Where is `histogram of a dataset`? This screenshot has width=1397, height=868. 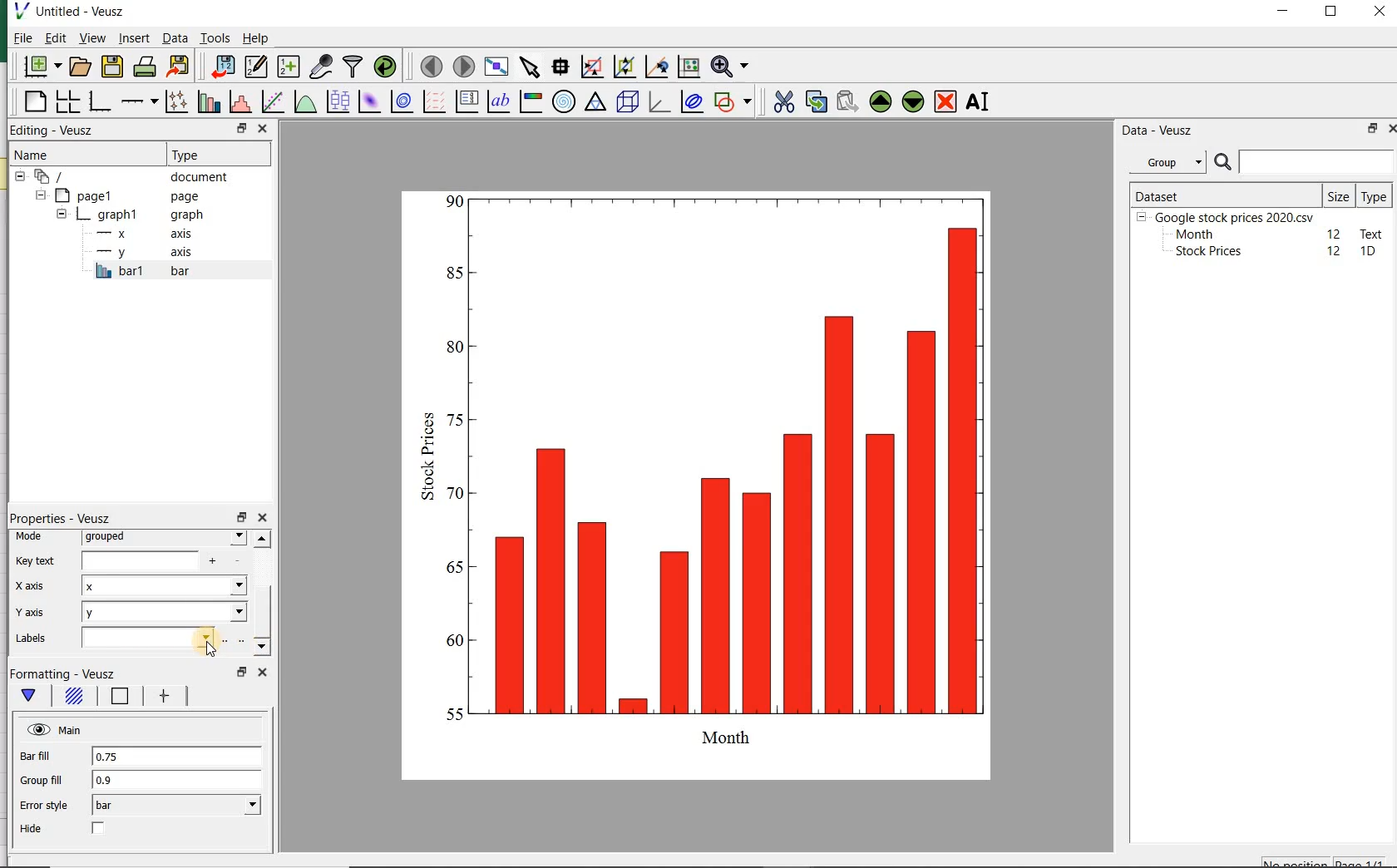 histogram of a dataset is located at coordinates (239, 104).